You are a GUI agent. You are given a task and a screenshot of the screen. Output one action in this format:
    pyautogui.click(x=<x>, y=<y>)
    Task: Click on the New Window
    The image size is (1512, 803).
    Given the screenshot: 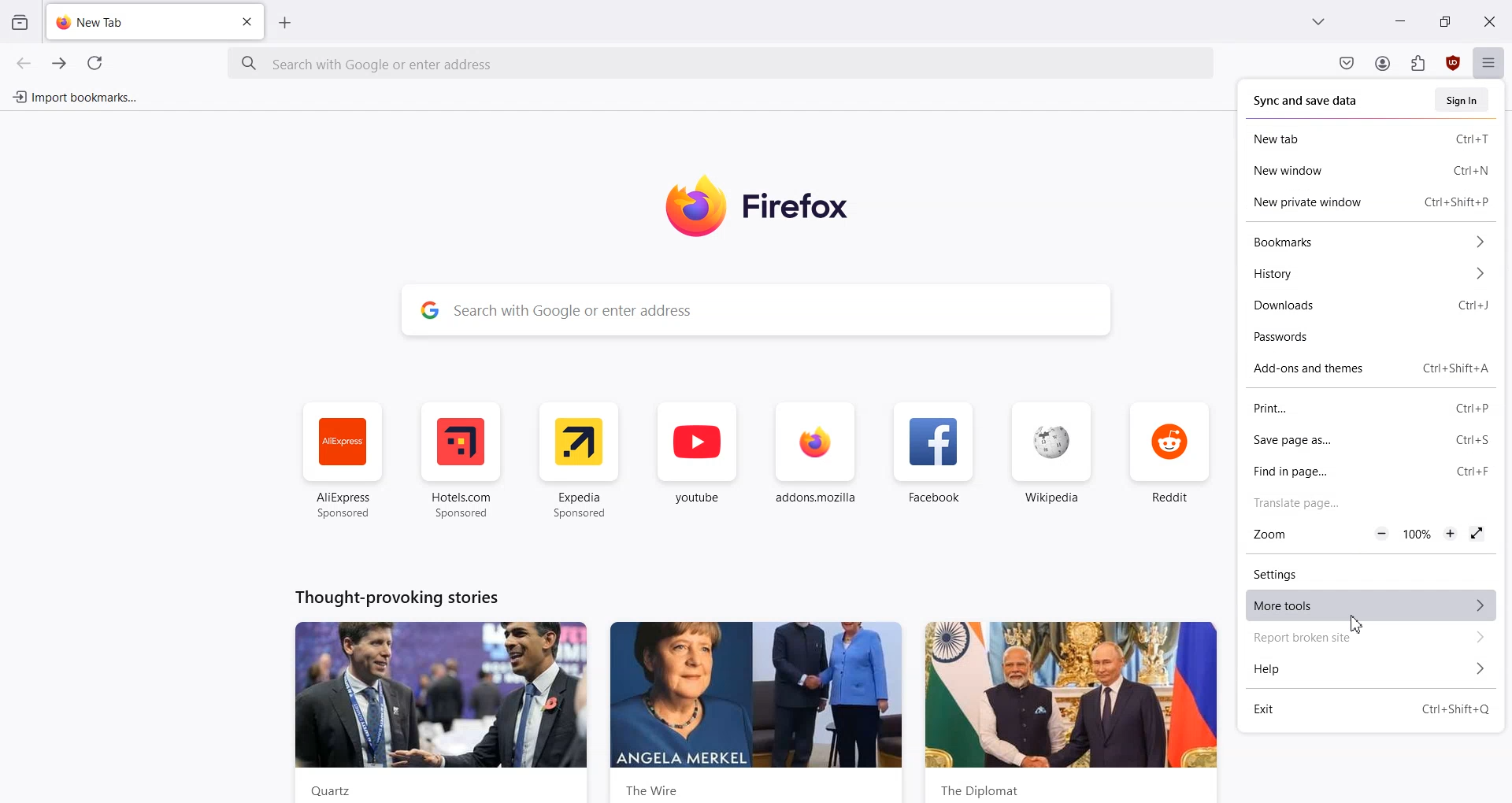 What is the action you would take?
    pyautogui.click(x=1334, y=170)
    